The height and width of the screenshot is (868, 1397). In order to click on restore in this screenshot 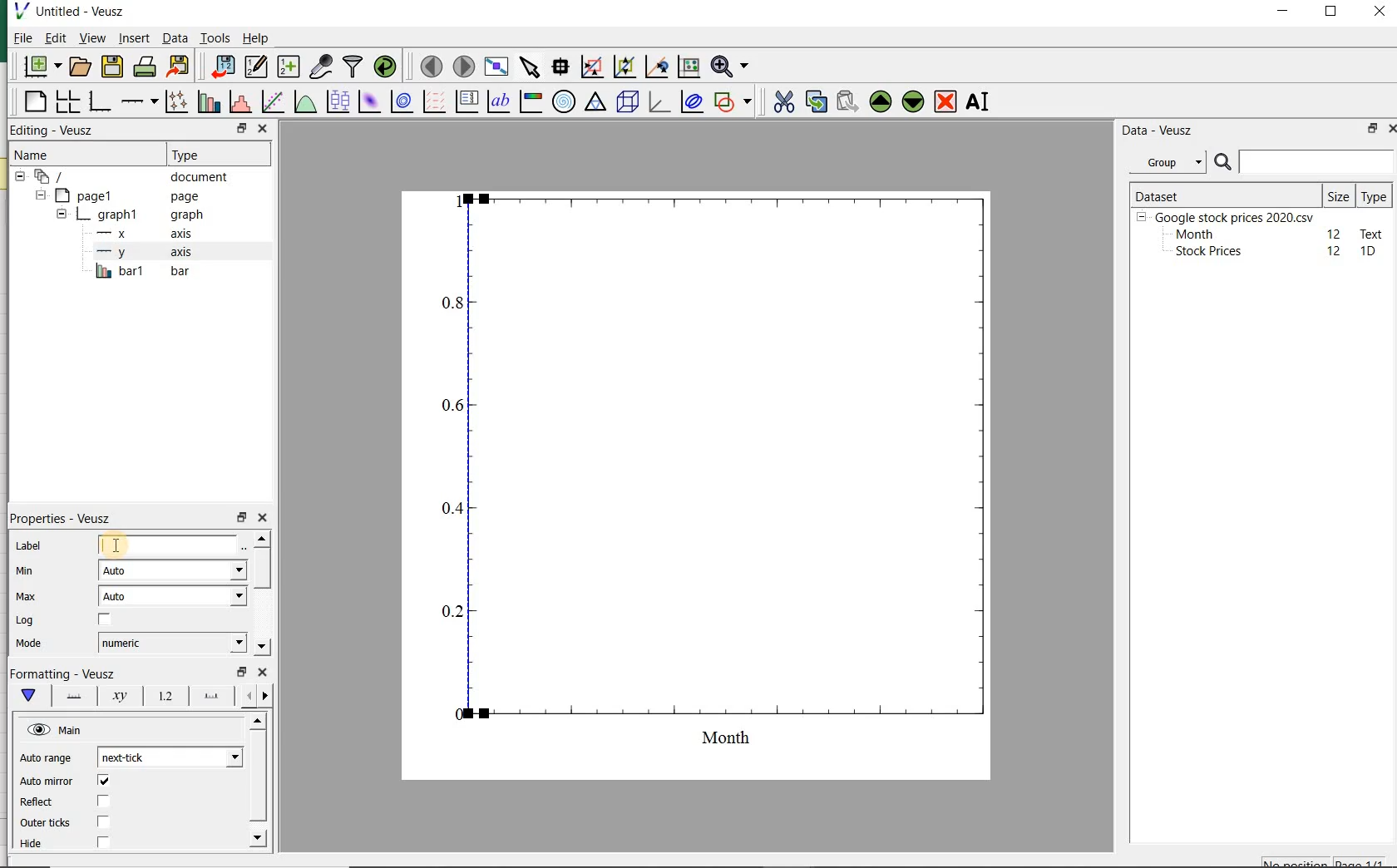, I will do `click(241, 672)`.